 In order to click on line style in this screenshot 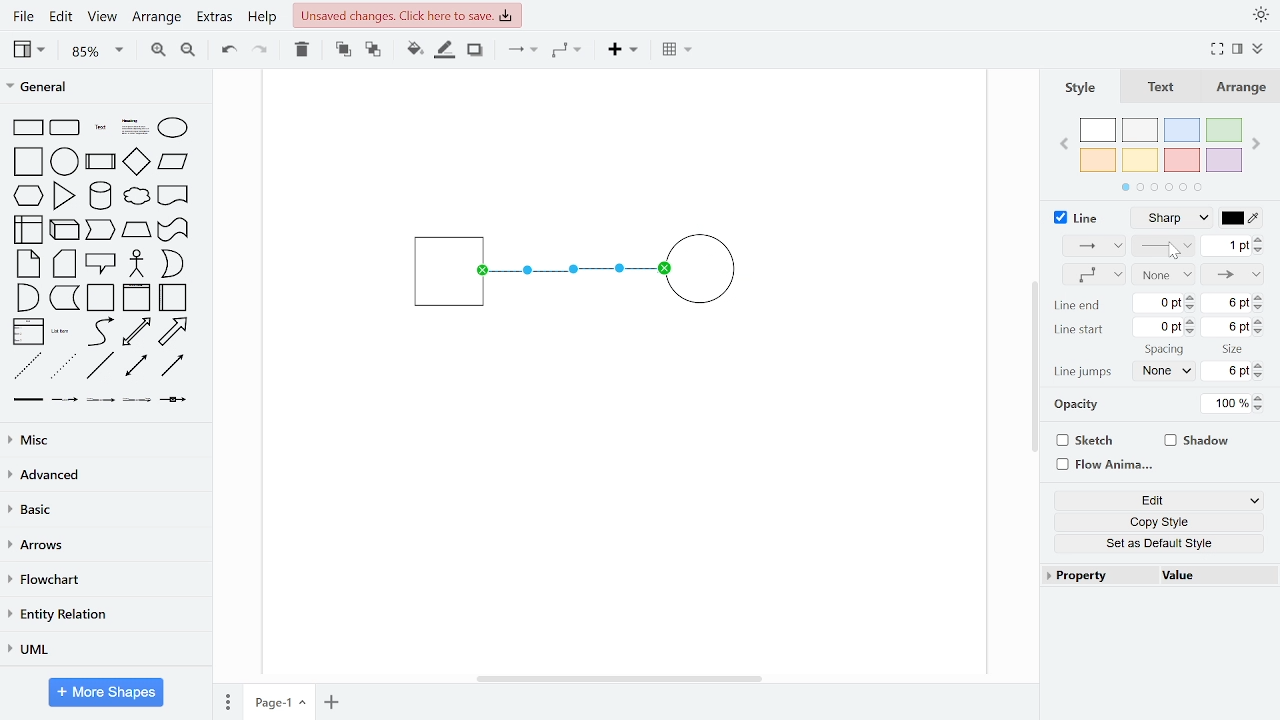, I will do `click(1170, 219)`.